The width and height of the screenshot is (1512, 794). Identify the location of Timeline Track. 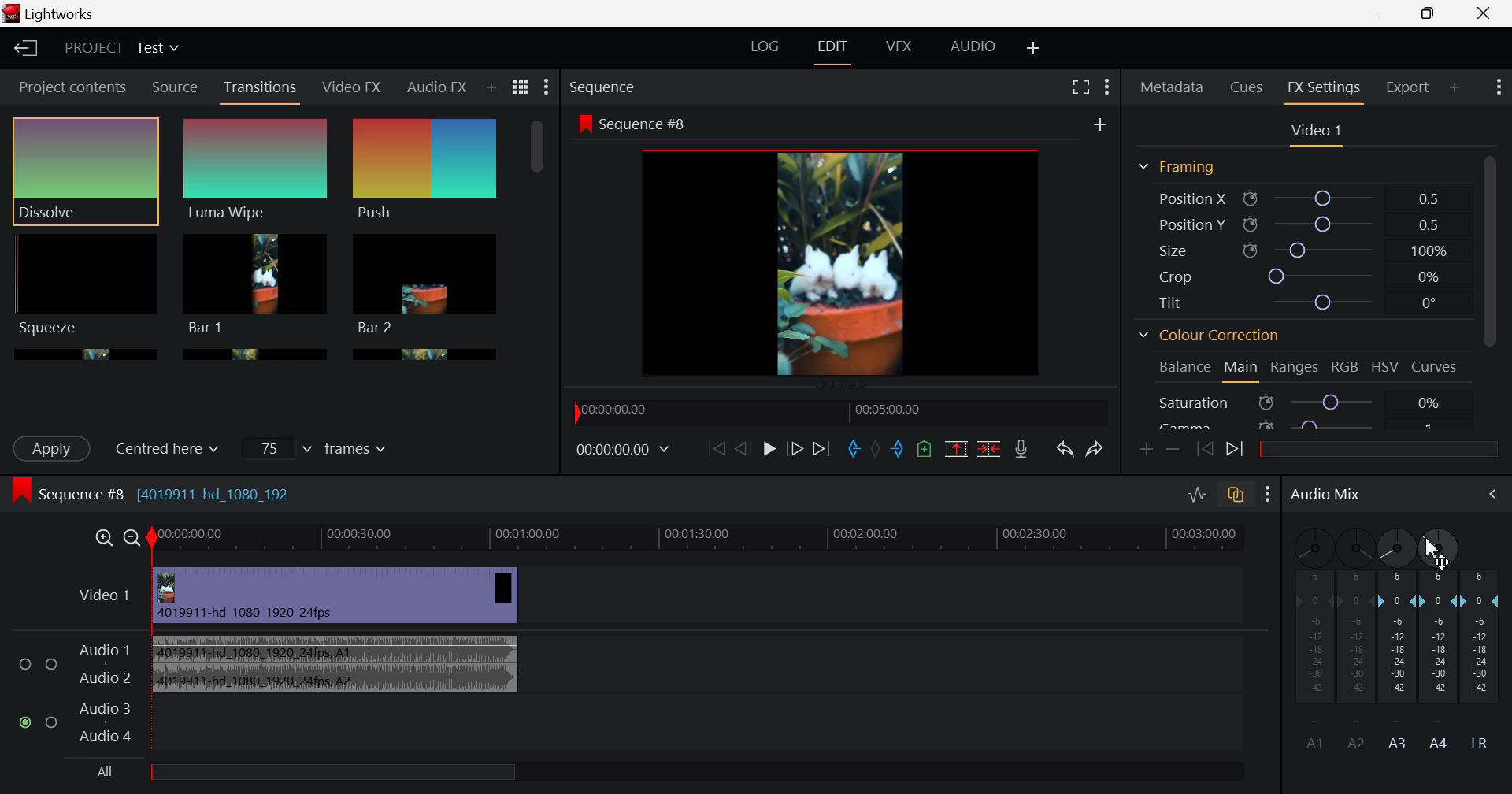
(713, 538).